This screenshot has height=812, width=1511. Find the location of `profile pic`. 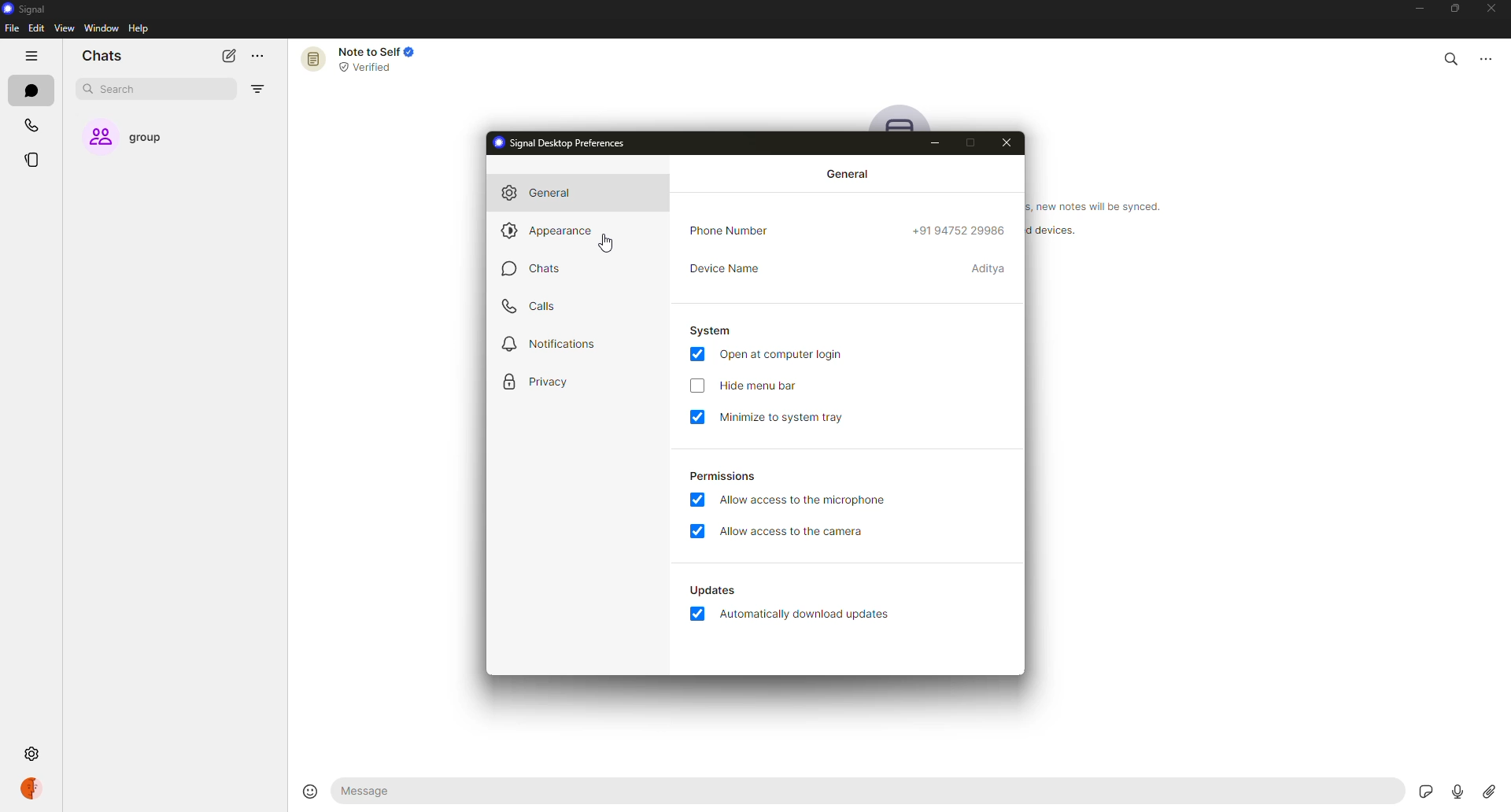

profile pic is located at coordinates (902, 118).